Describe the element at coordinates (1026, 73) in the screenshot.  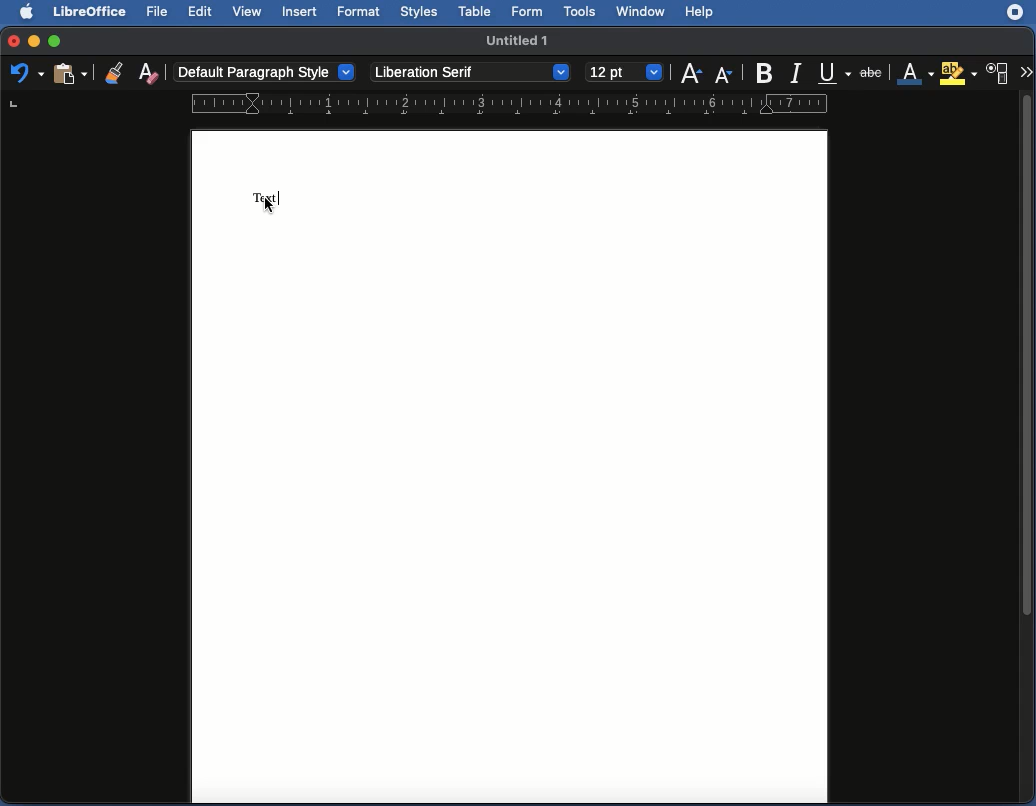
I see `More` at that location.